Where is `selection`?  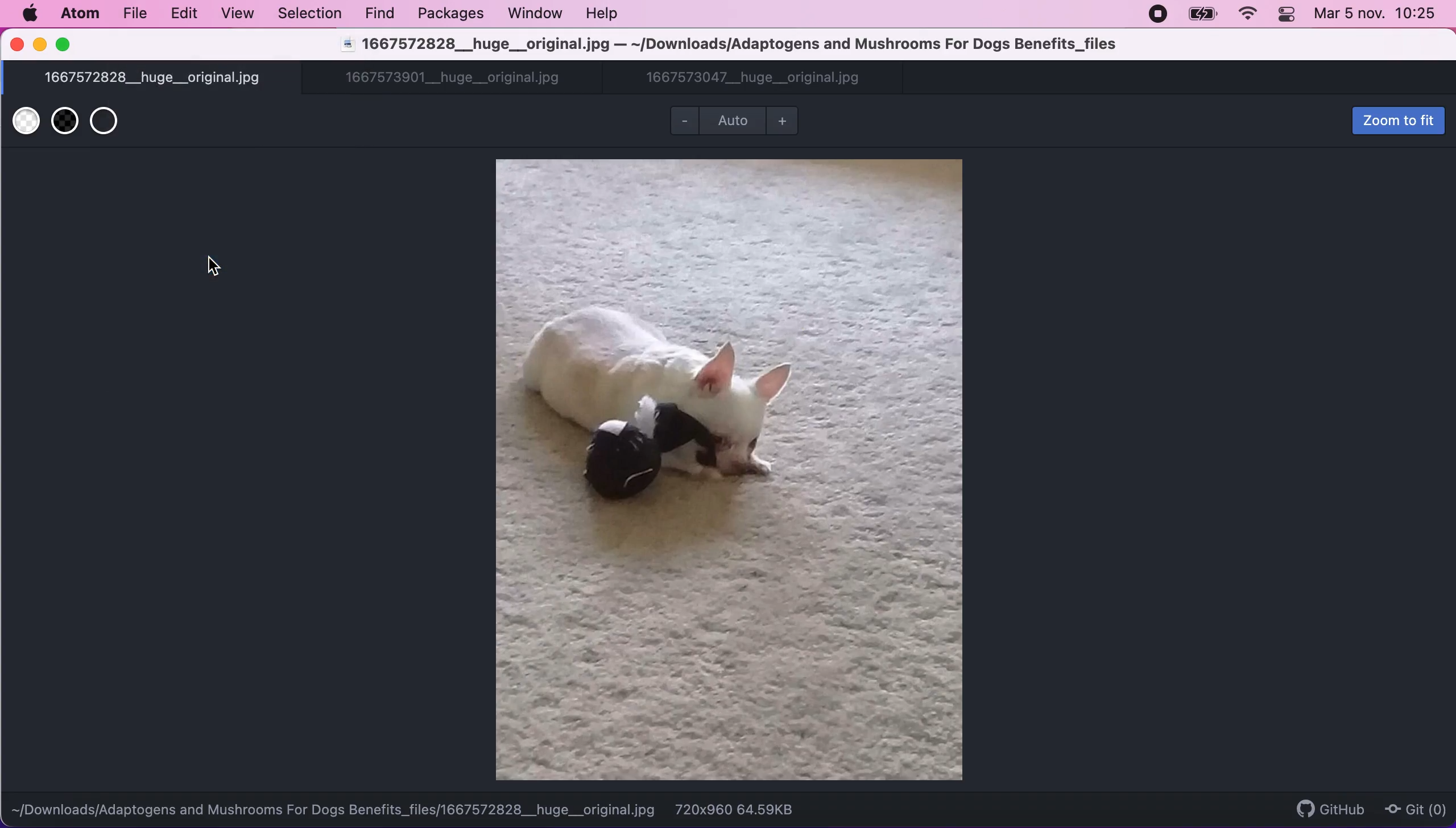
selection is located at coordinates (311, 14).